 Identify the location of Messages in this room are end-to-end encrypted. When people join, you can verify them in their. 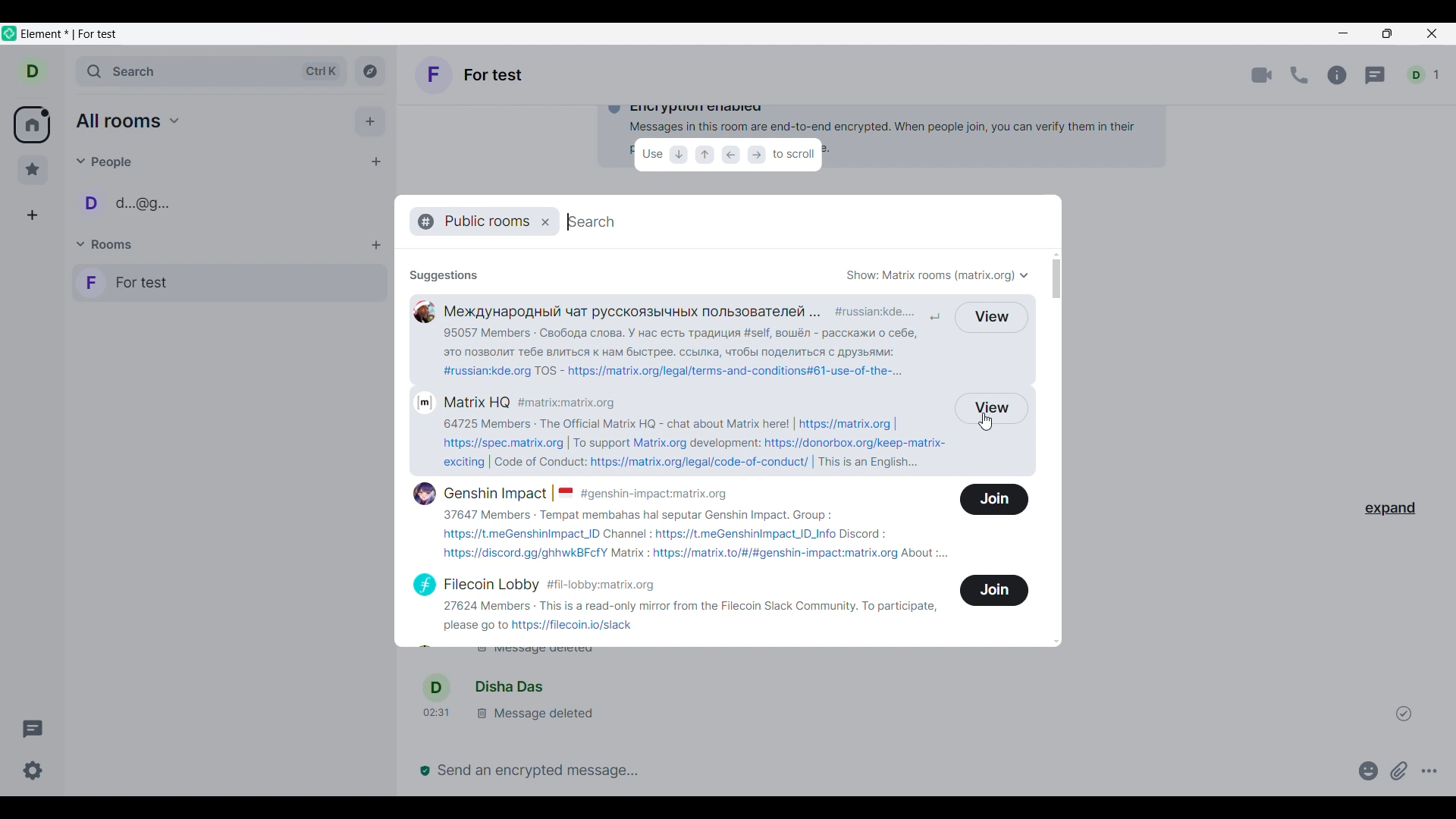
(852, 127).